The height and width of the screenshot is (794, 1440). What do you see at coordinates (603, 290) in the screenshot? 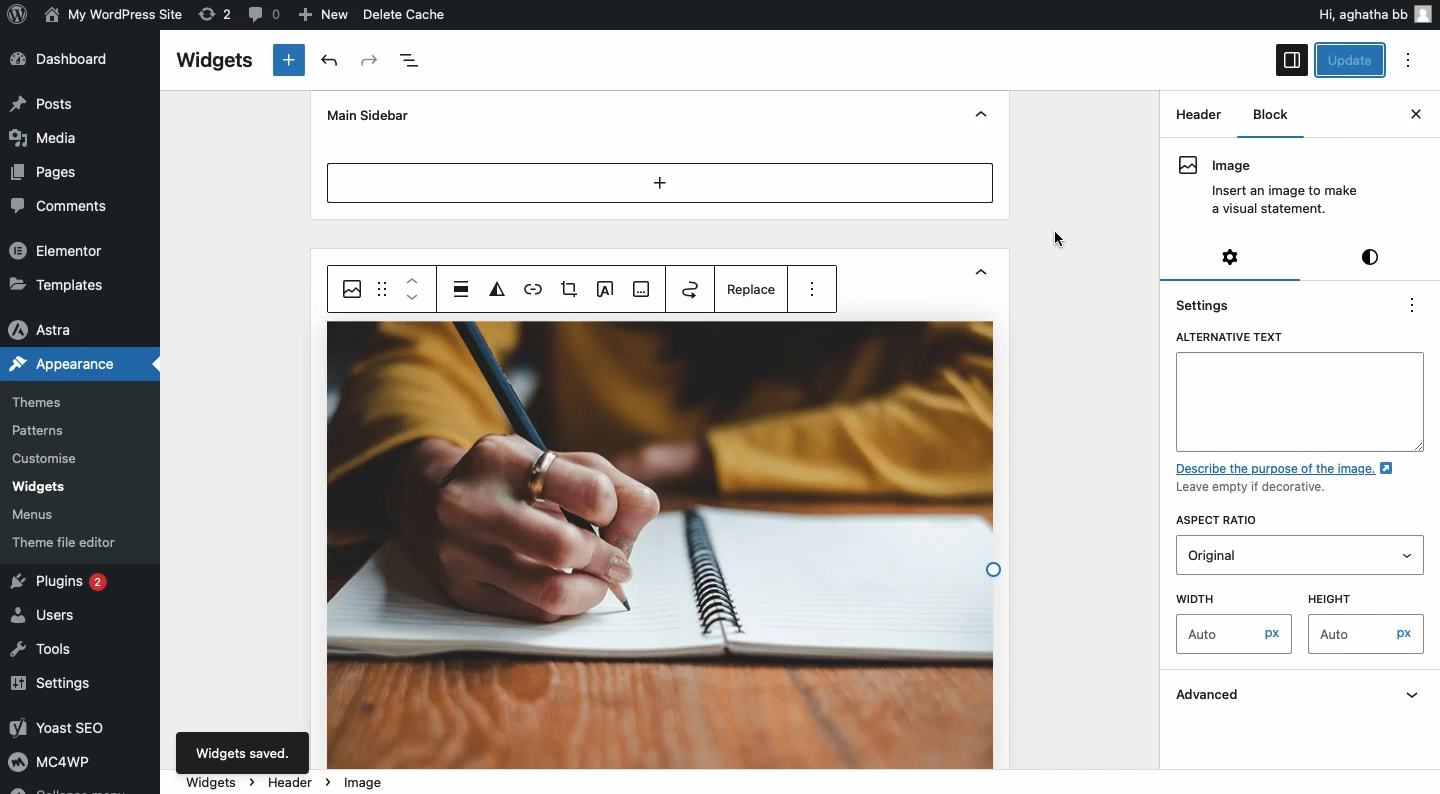
I see `Edit` at bounding box center [603, 290].